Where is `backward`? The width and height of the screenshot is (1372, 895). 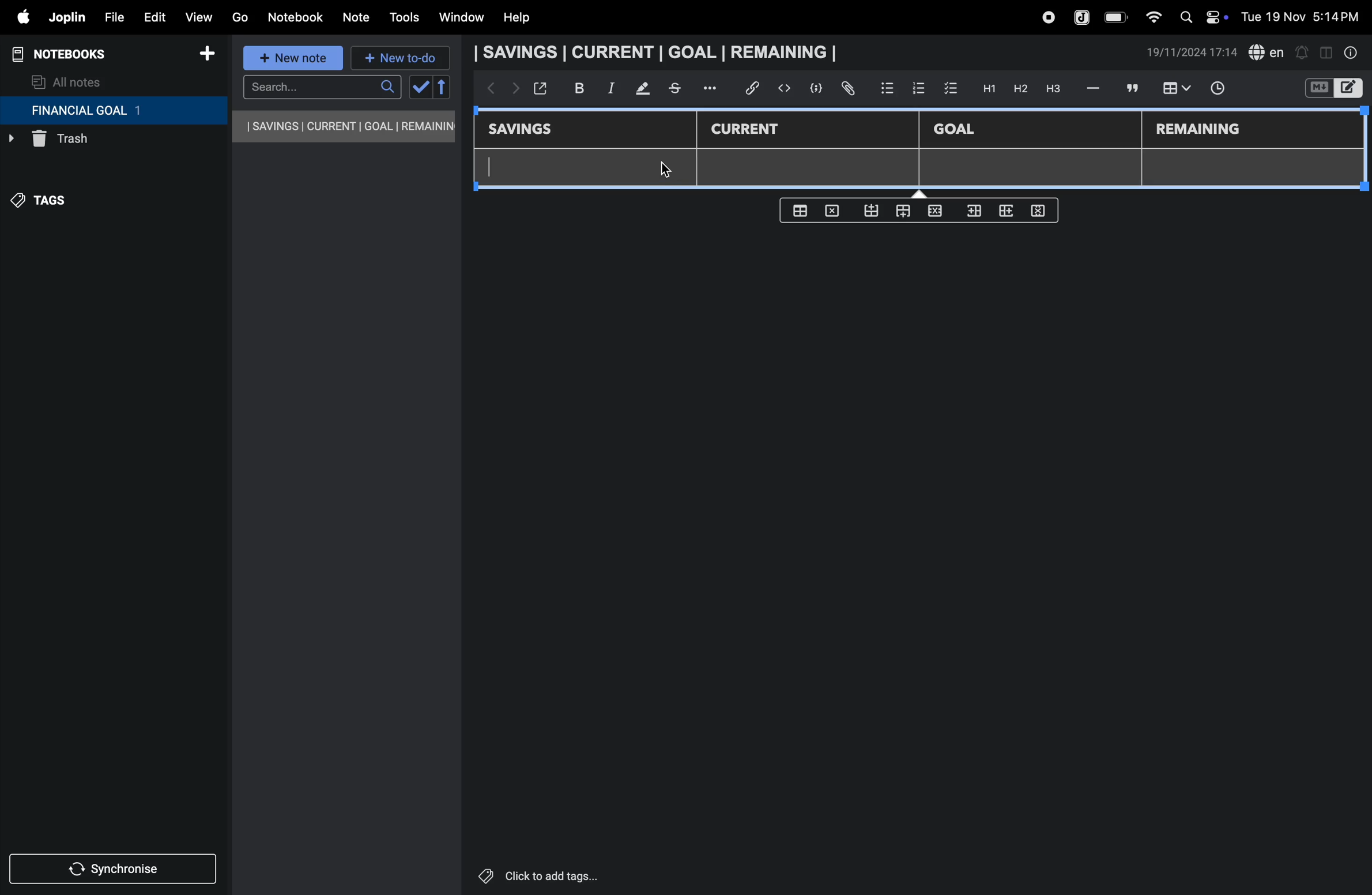 backward is located at coordinates (487, 89).